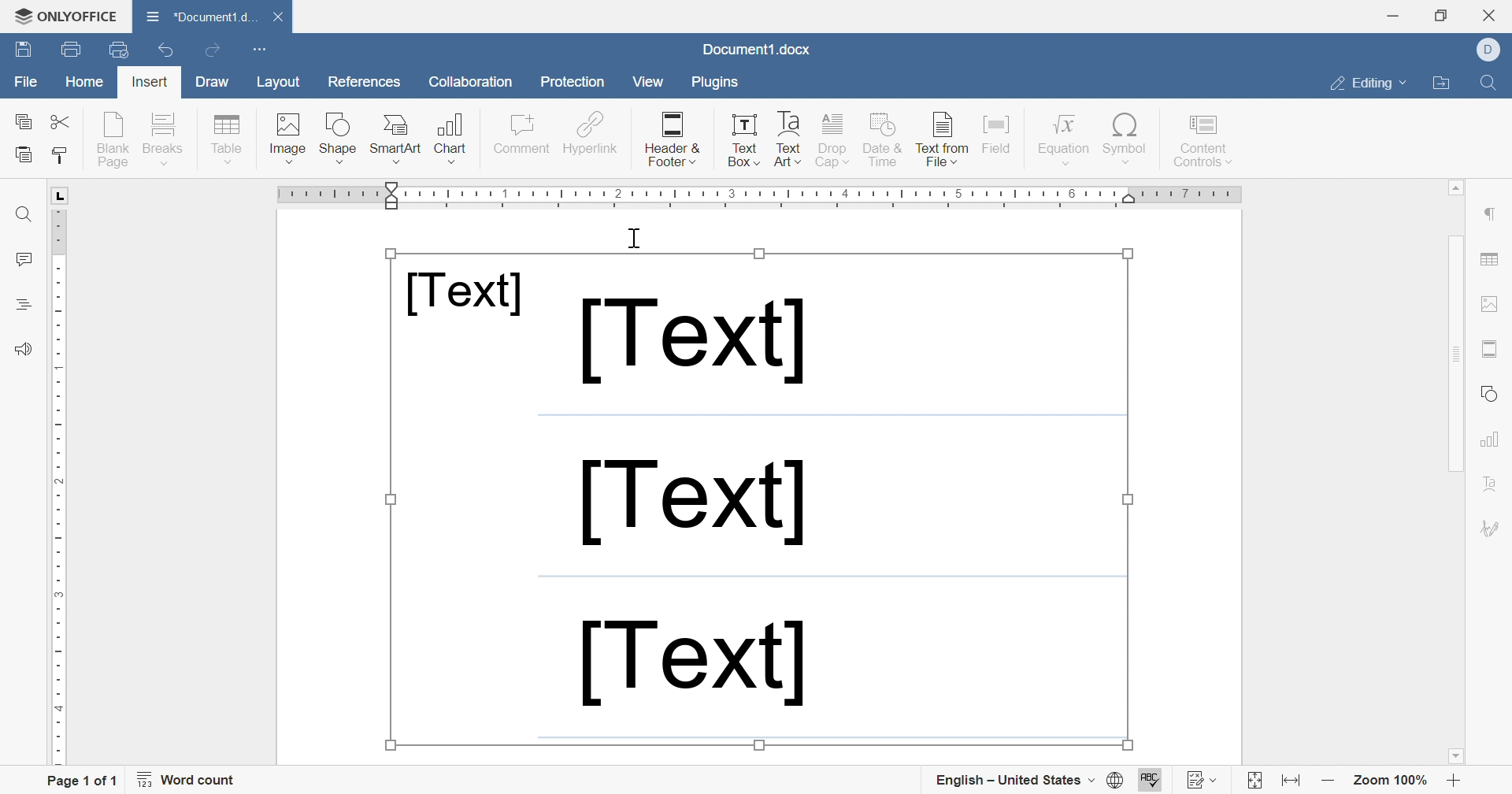 The height and width of the screenshot is (794, 1512). I want to click on Date & time, so click(883, 141).